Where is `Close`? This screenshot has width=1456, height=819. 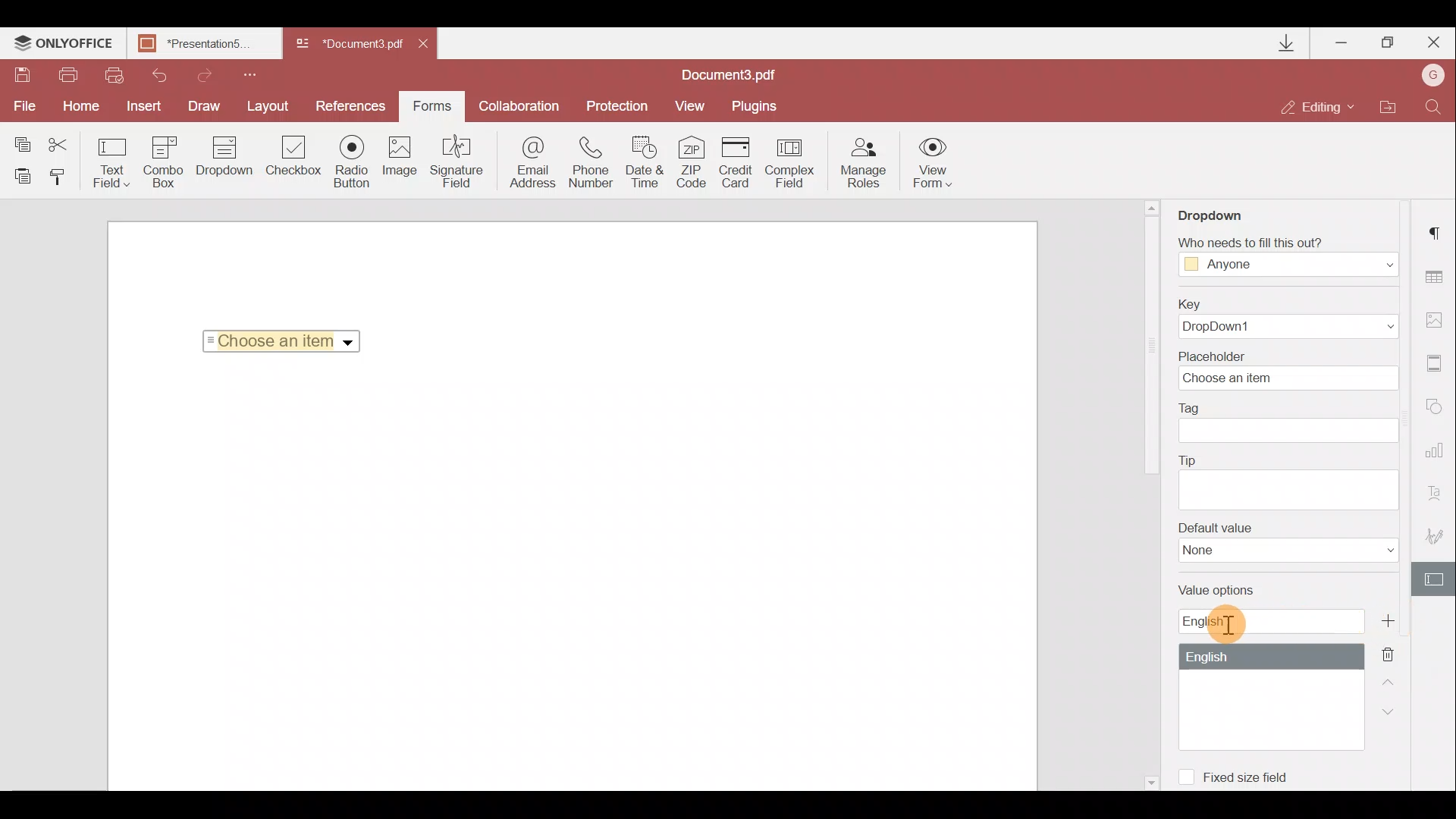
Close is located at coordinates (1432, 39).